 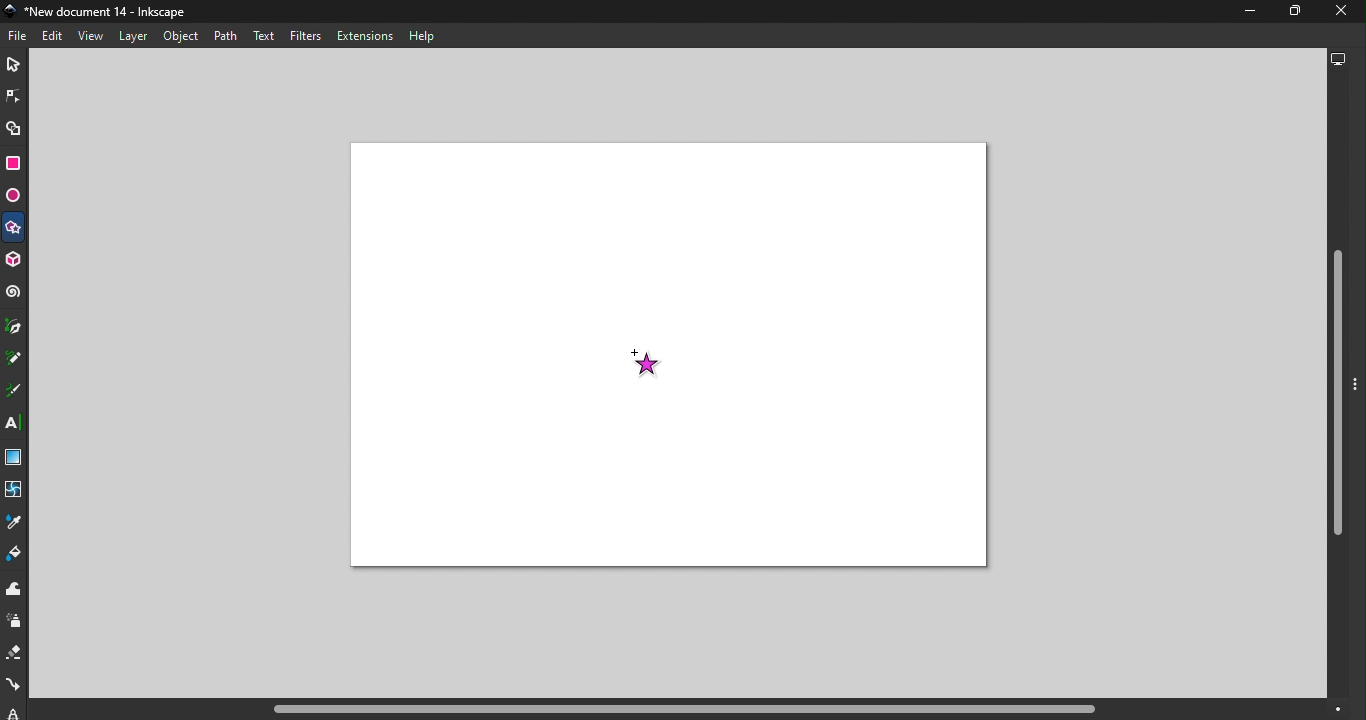 I want to click on 3D box tool, so click(x=15, y=262).